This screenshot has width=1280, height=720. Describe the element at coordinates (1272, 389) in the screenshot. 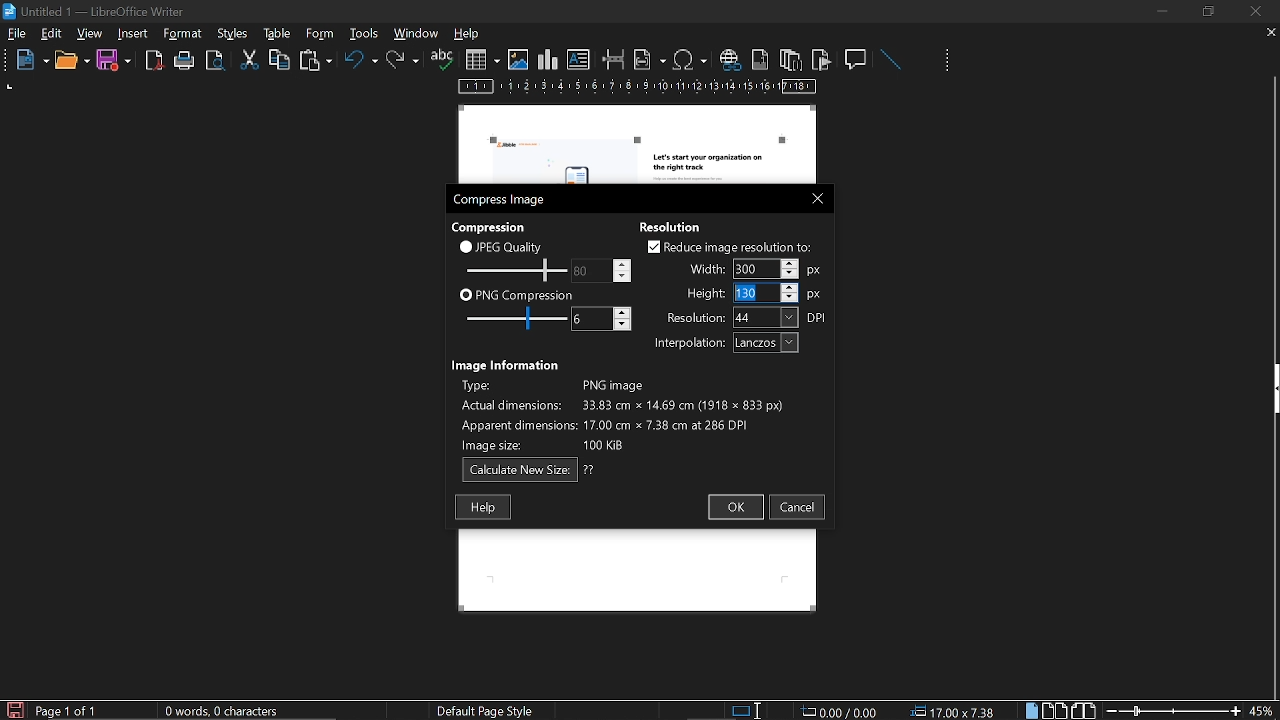

I see `side bar menu` at that location.